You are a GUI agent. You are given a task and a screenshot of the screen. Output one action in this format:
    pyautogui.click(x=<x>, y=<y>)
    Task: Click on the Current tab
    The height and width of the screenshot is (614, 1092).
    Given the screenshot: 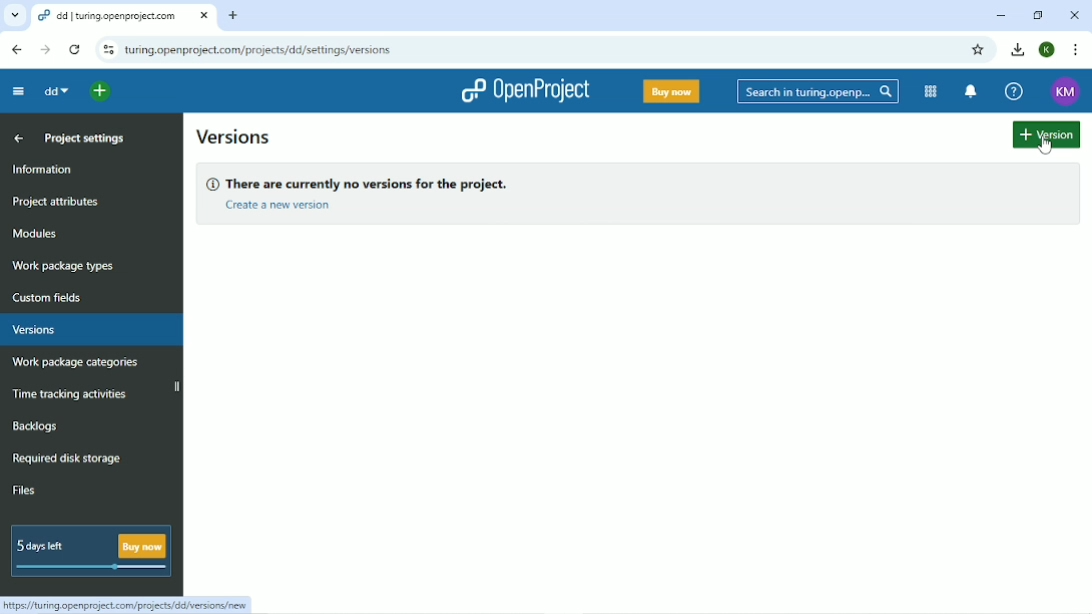 What is the action you would take?
    pyautogui.click(x=124, y=15)
    